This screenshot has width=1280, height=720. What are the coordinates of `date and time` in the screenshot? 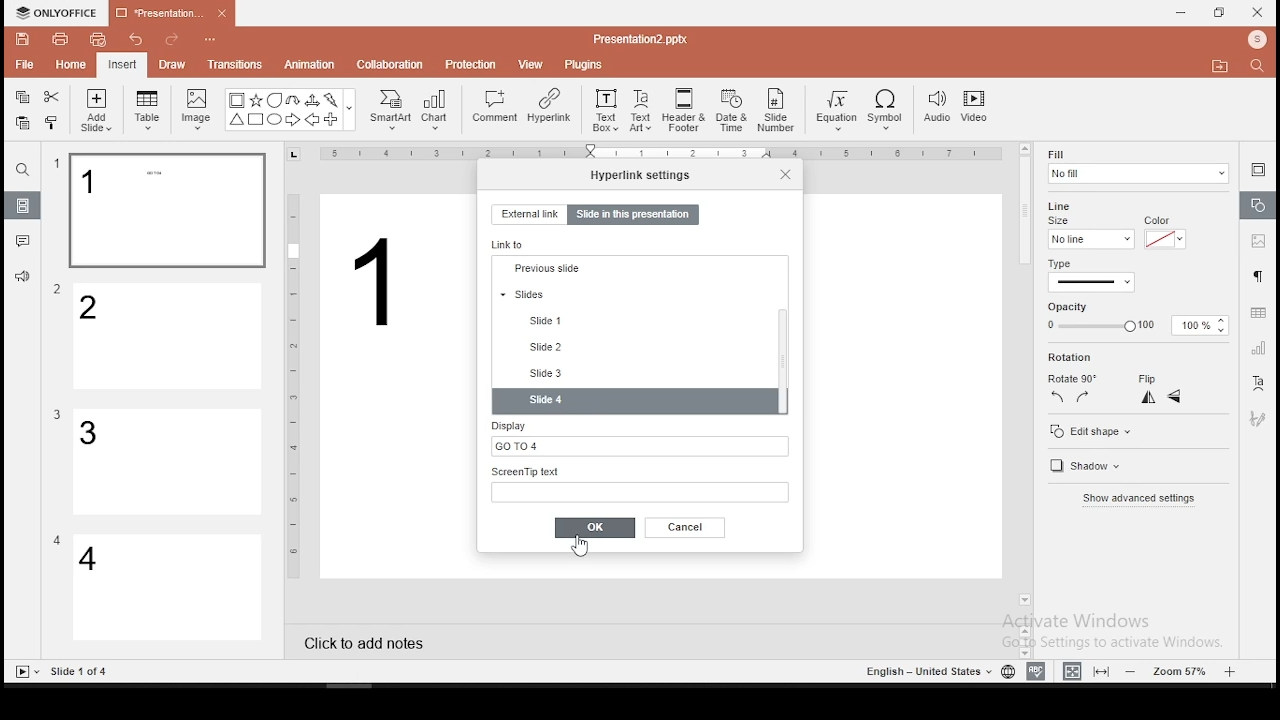 It's located at (732, 110).